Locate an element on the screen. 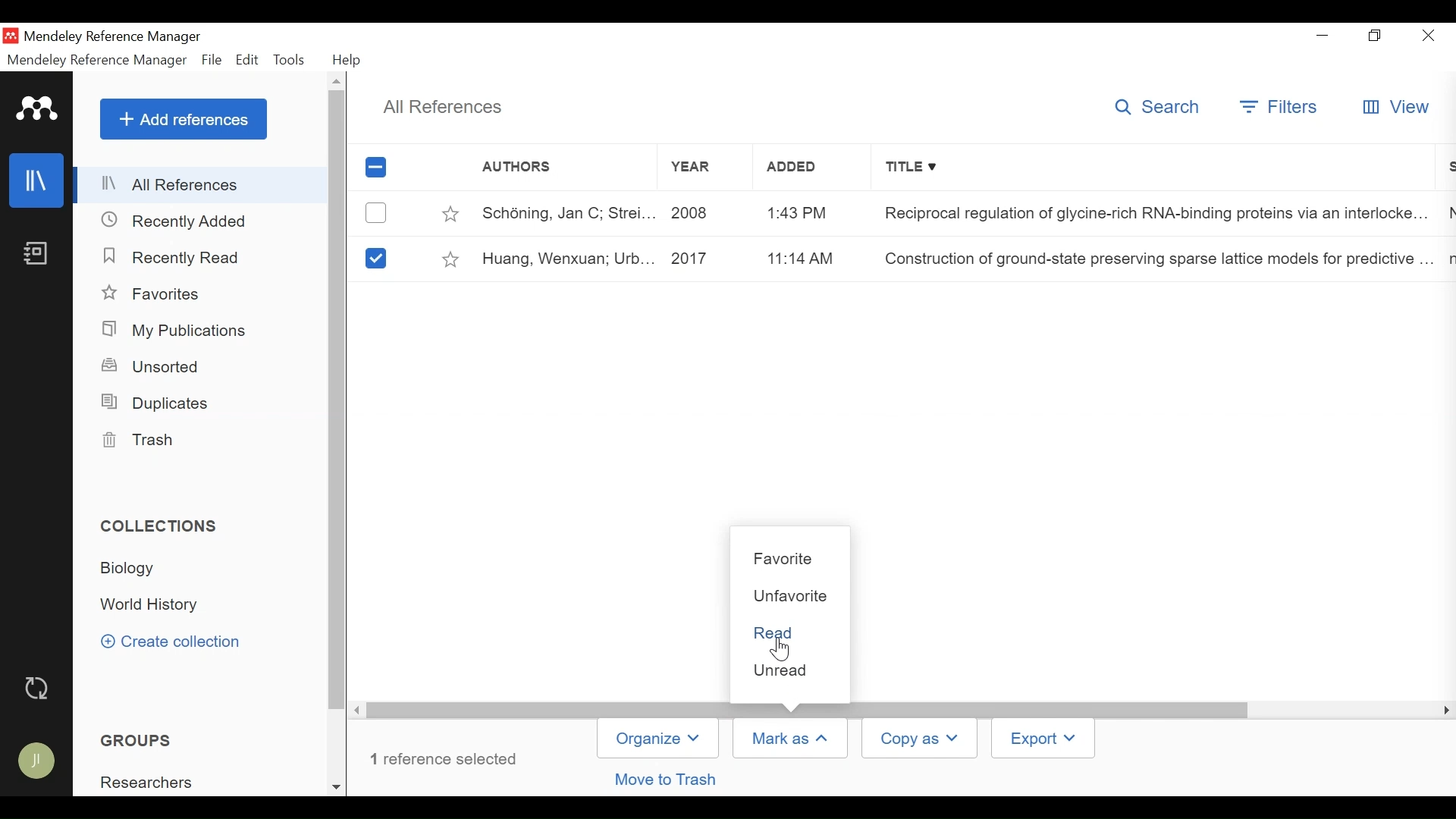 The width and height of the screenshot is (1456, 819). Unread is located at coordinates (795, 670).